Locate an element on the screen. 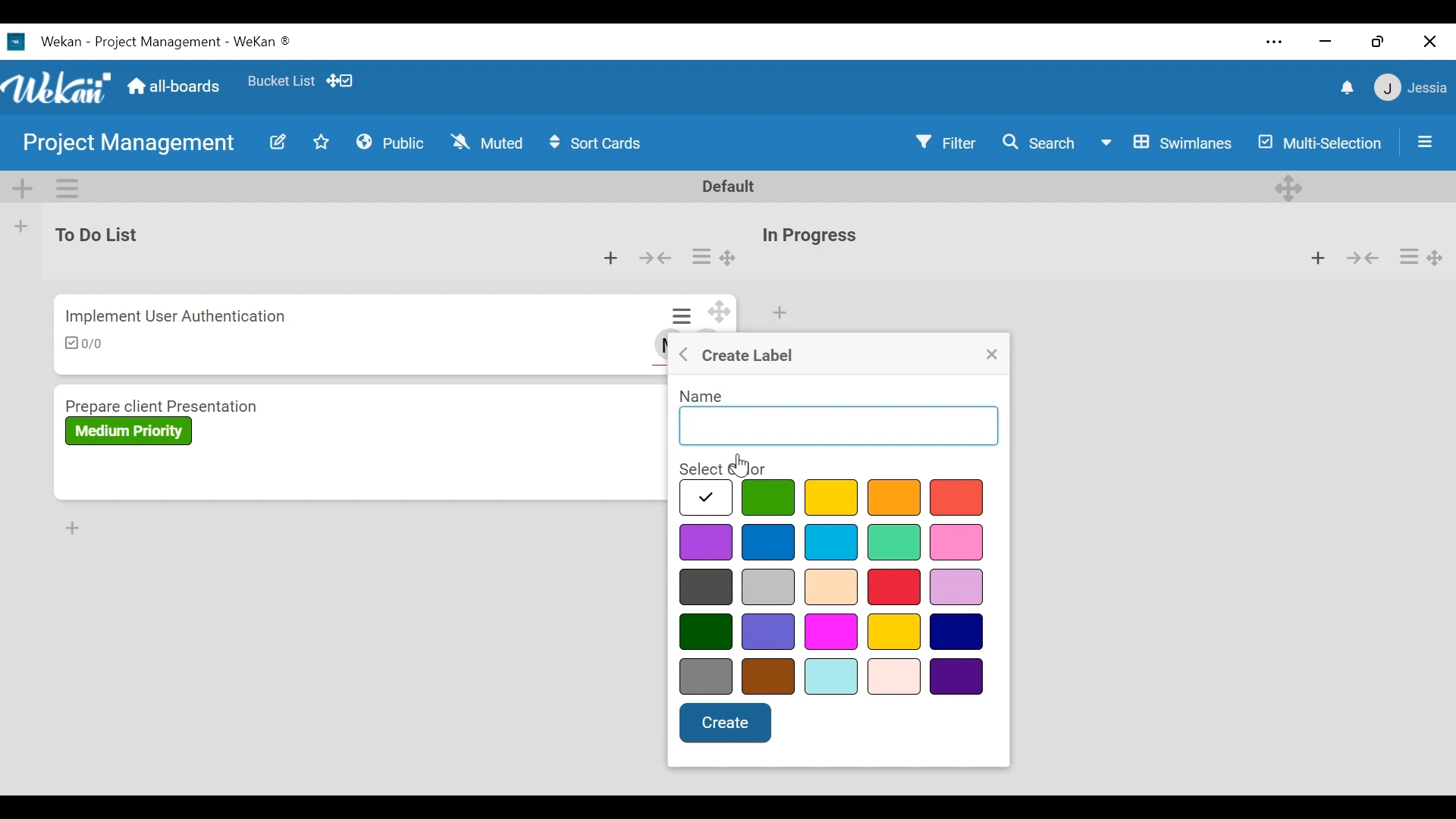 The image size is (1456, 819). Name is located at coordinates (699, 397).